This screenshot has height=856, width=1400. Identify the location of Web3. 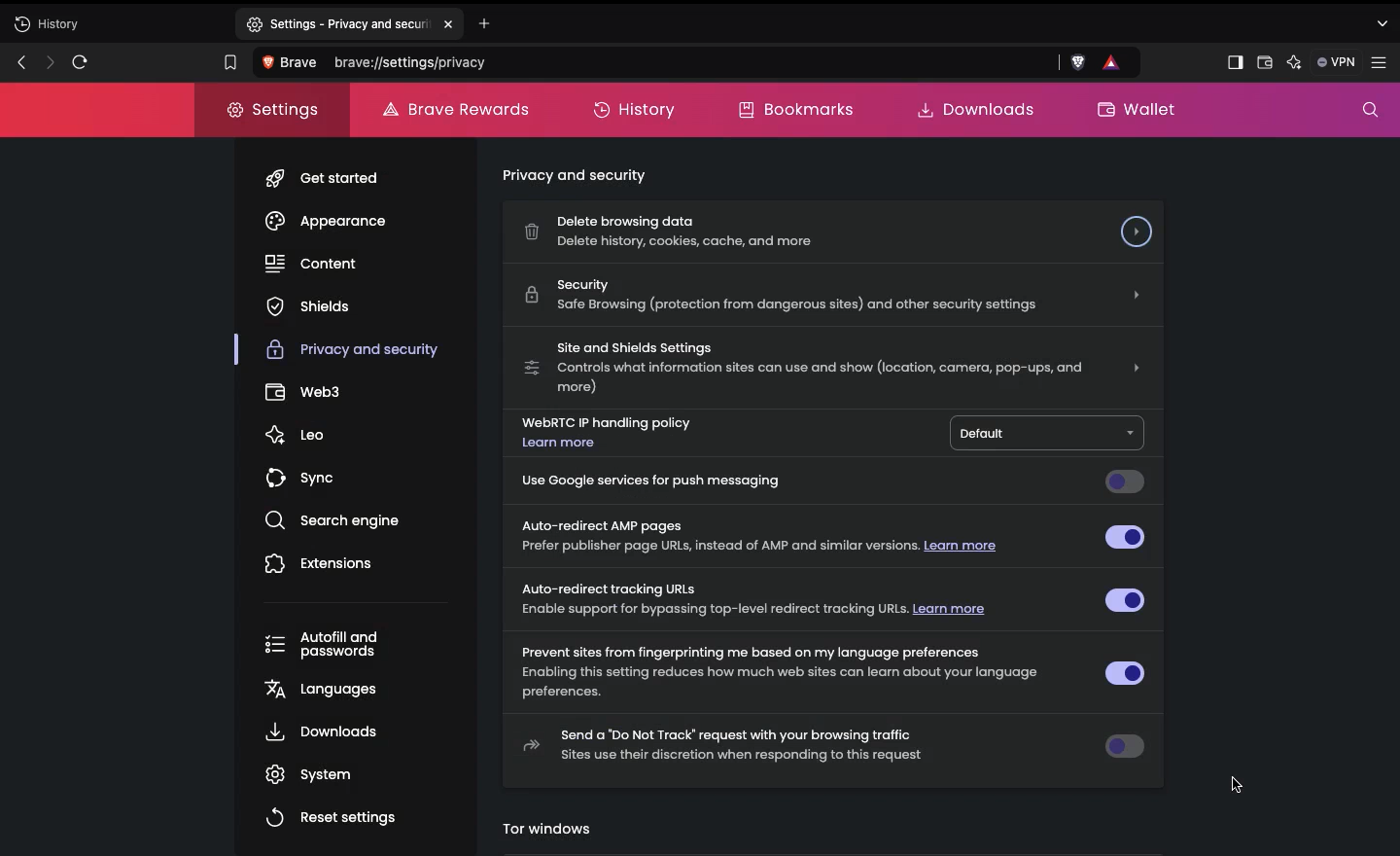
(306, 393).